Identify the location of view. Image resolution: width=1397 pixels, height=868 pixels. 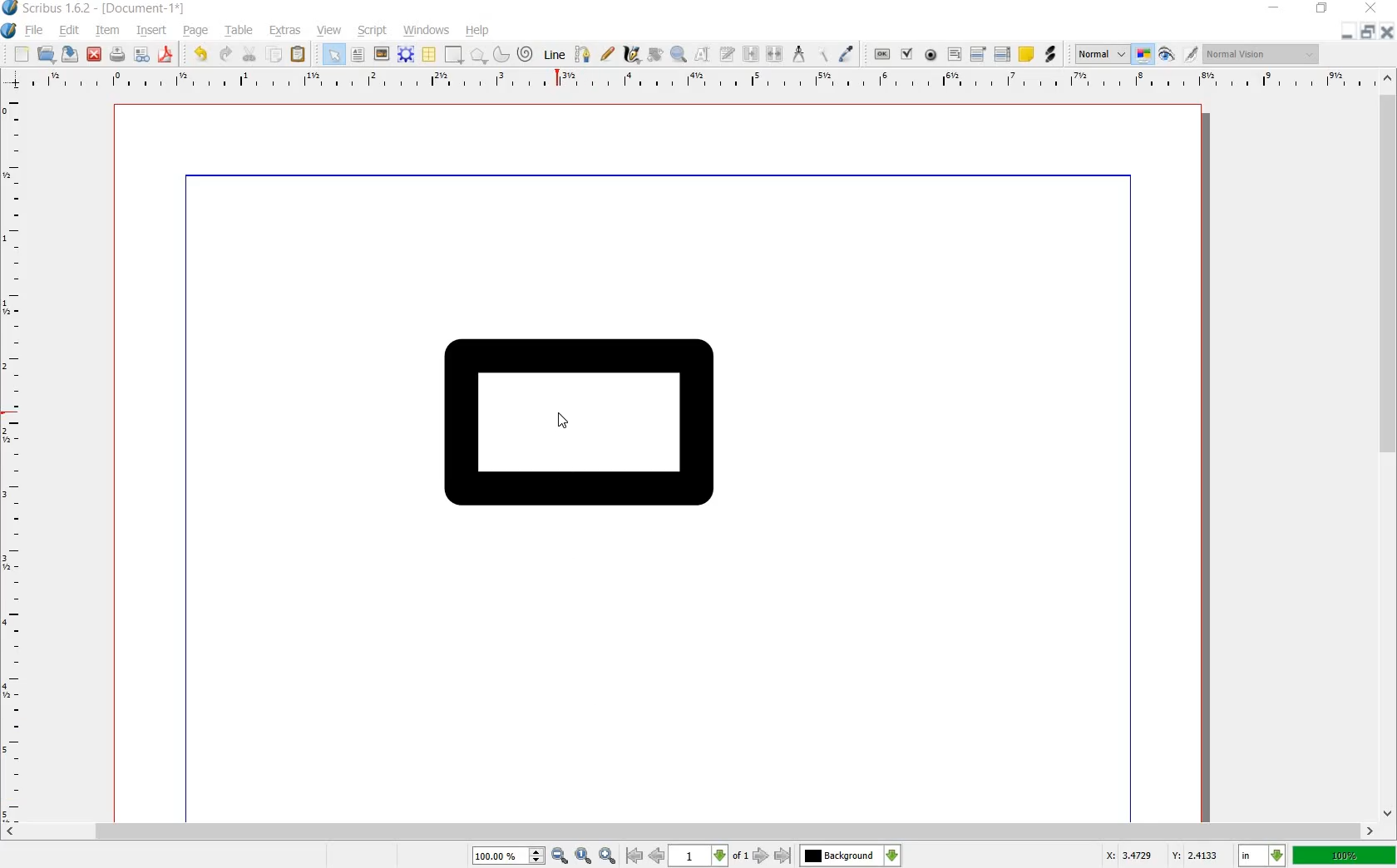
(329, 32).